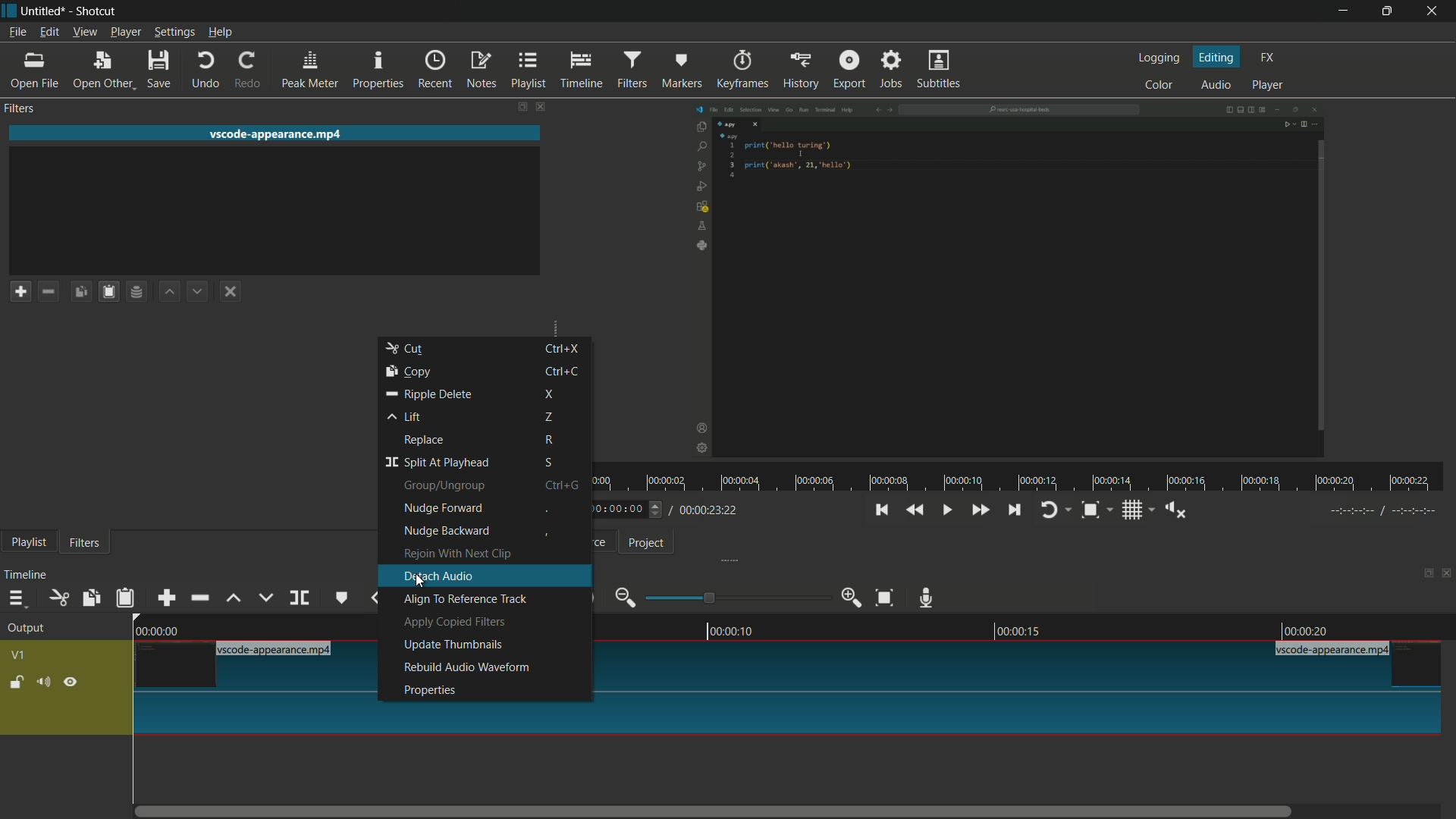 This screenshot has height=819, width=1456. What do you see at coordinates (625, 597) in the screenshot?
I see `zoom out` at bounding box center [625, 597].